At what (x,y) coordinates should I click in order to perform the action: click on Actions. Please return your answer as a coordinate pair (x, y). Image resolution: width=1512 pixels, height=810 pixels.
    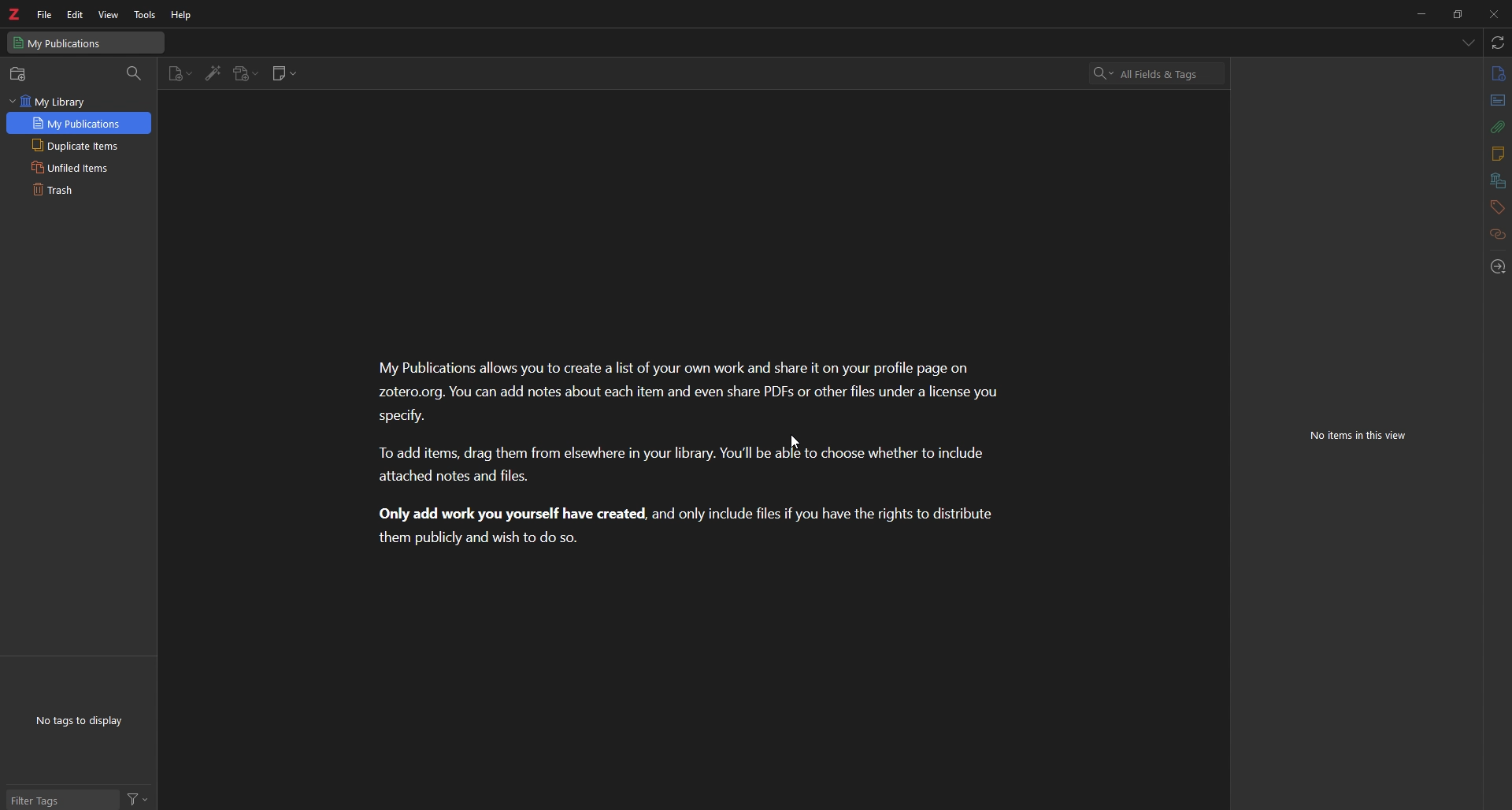
    Looking at the image, I should click on (139, 800).